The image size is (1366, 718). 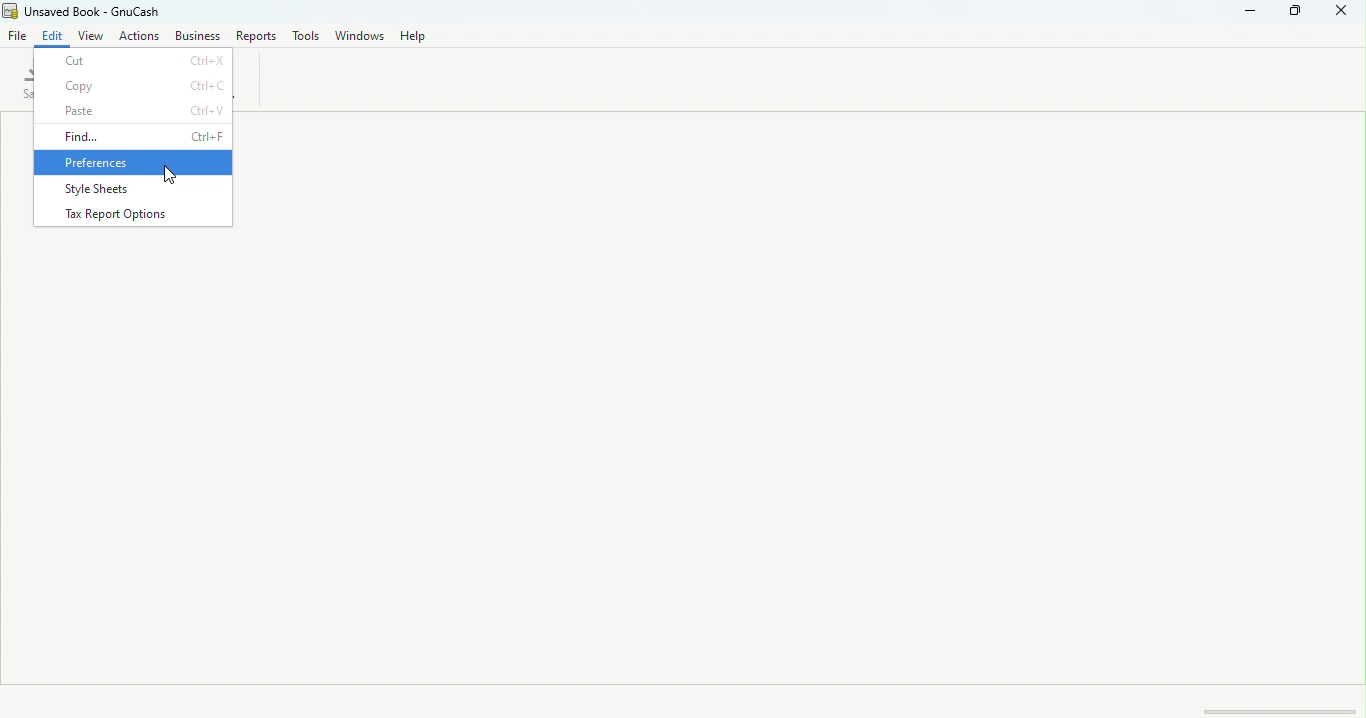 What do you see at coordinates (138, 190) in the screenshot?
I see `Style sheets` at bounding box center [138, 190].